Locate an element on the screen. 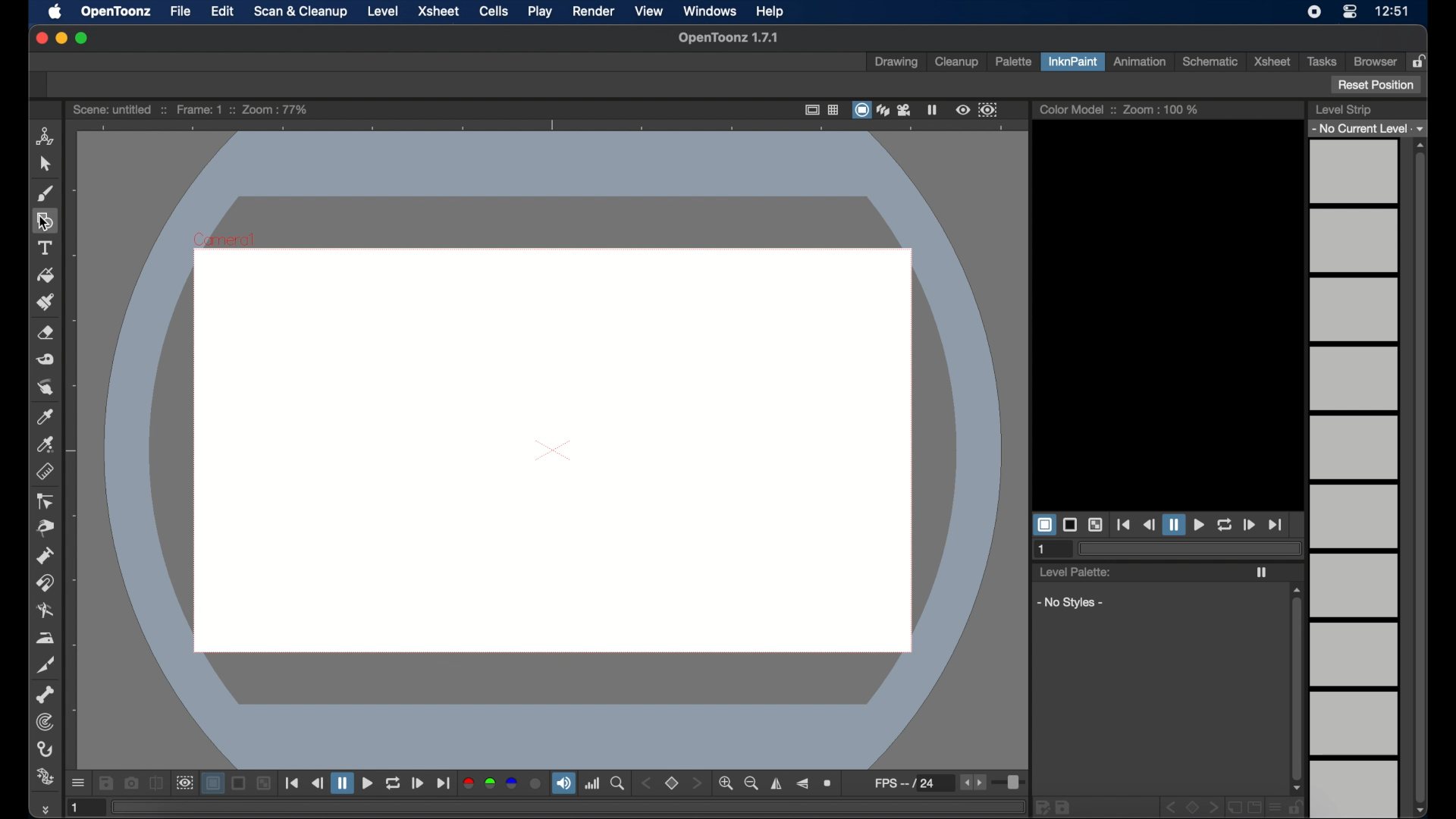  render is located at coordinates (593, 11).